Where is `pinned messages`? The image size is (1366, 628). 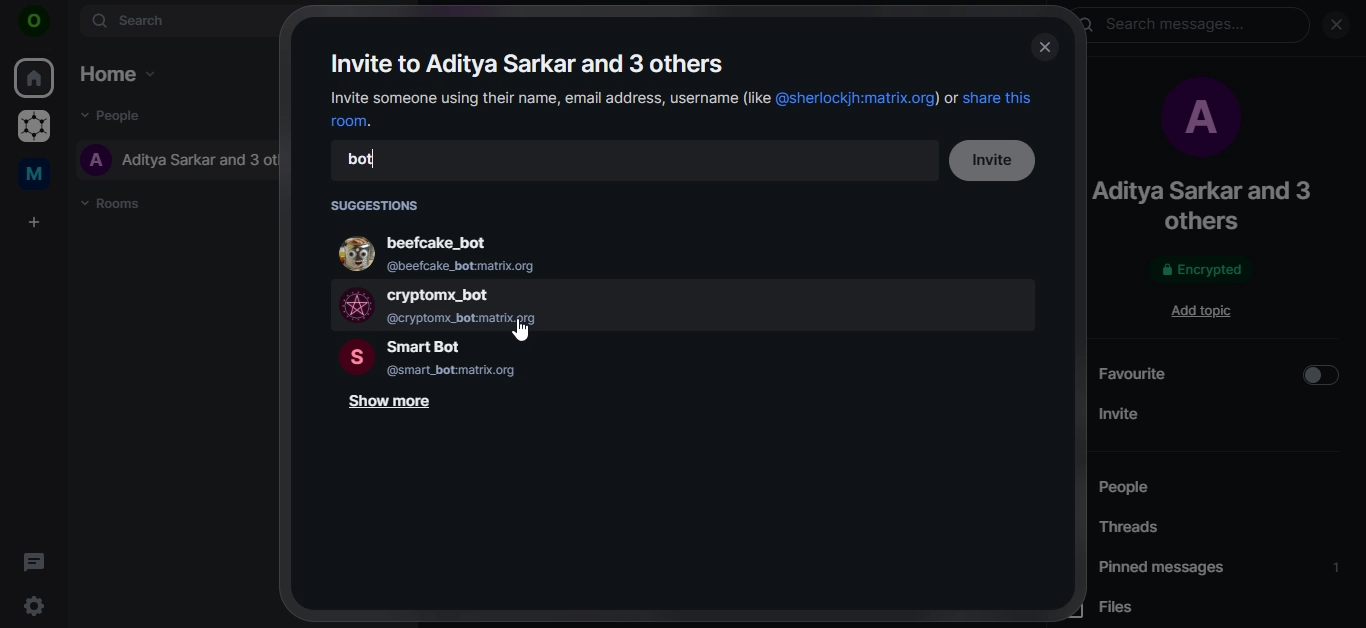
pinned messages is located at coordinates (1220, 567).